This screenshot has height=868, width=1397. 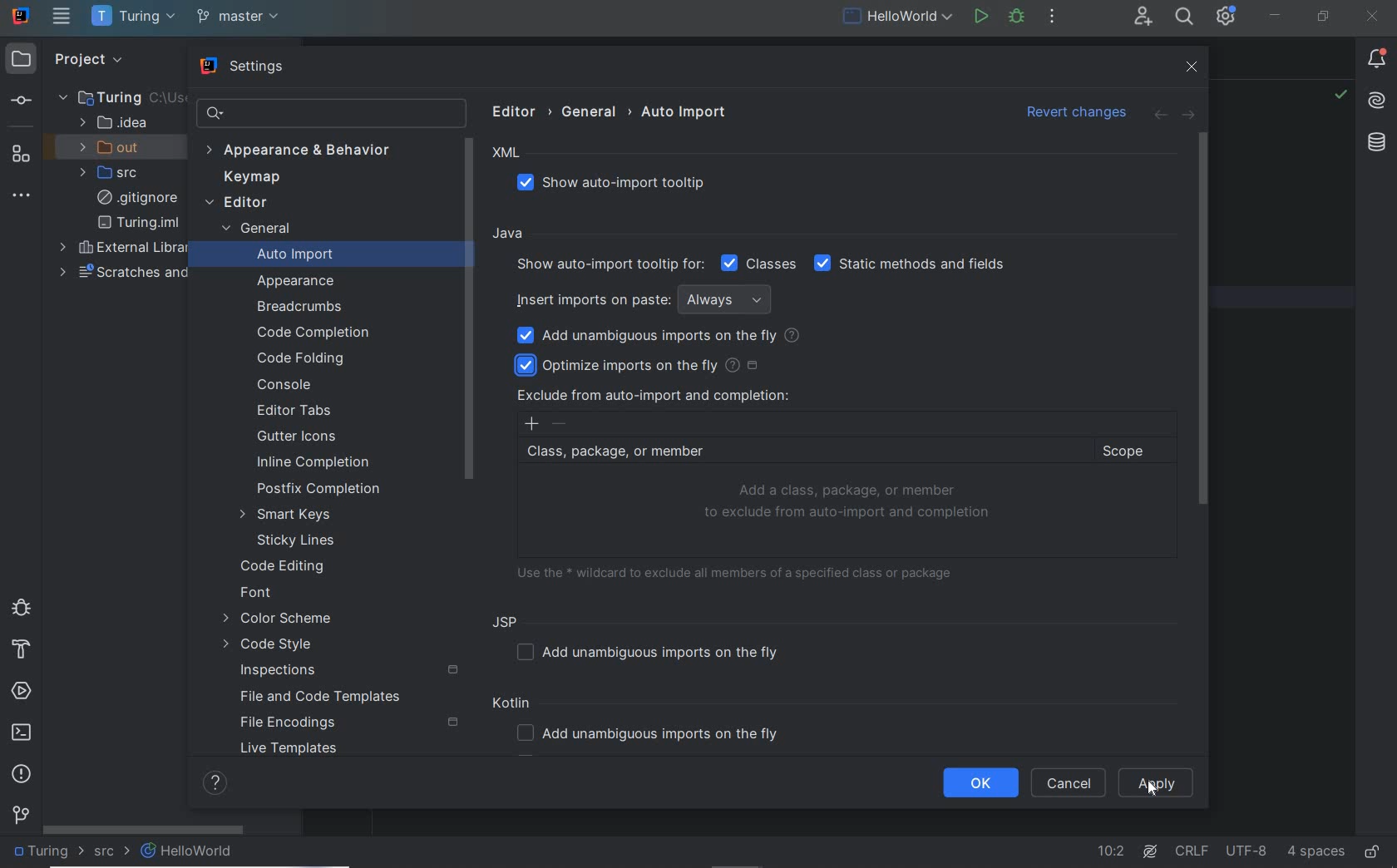 What do you see at coordinates (240, 17) in the screenshot?
I see `git branch: master` at bounding box center [240, 17].